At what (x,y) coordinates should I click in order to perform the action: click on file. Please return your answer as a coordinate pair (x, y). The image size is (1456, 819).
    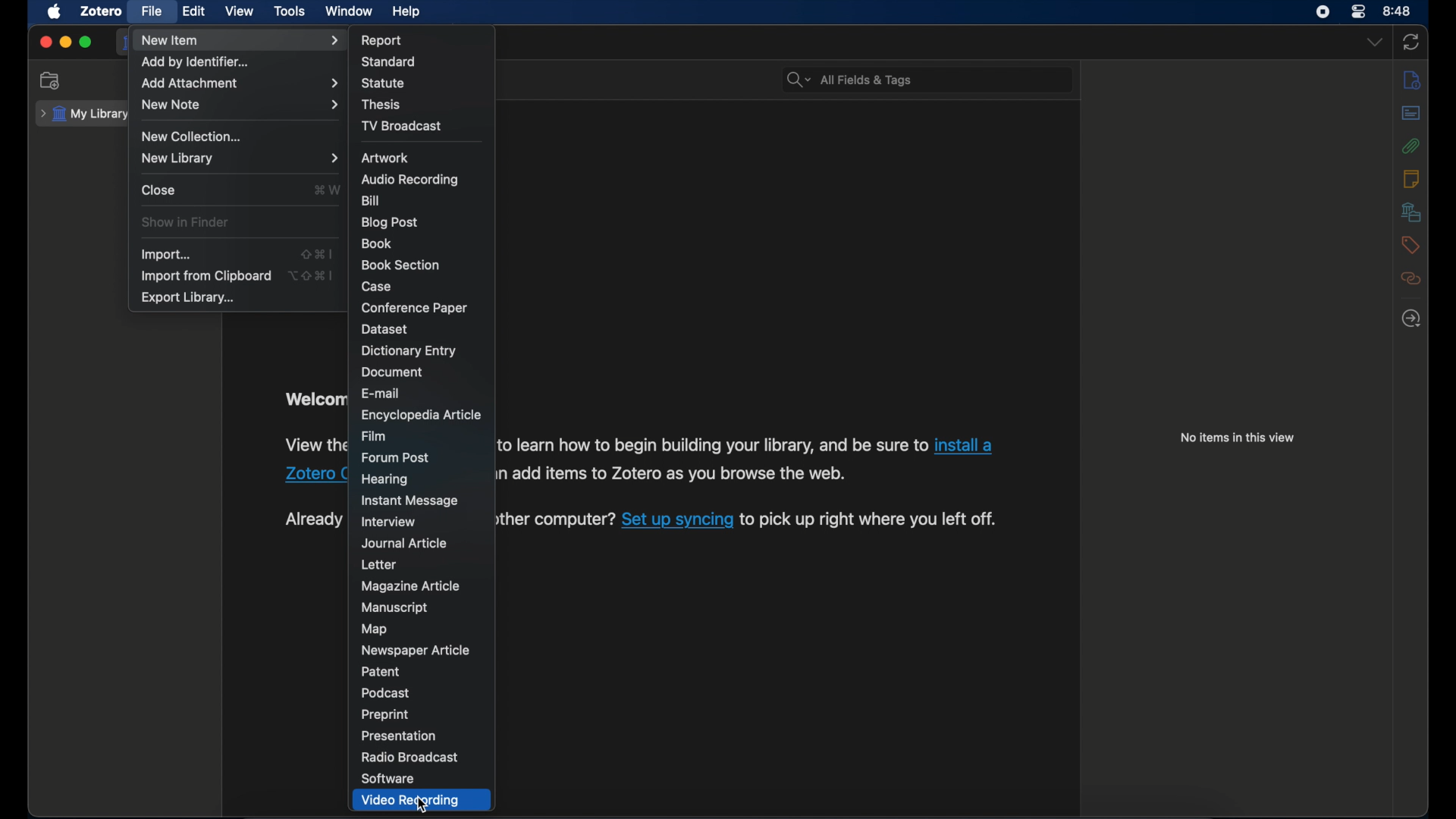
    Looking at the image, I should click on (151, 12).